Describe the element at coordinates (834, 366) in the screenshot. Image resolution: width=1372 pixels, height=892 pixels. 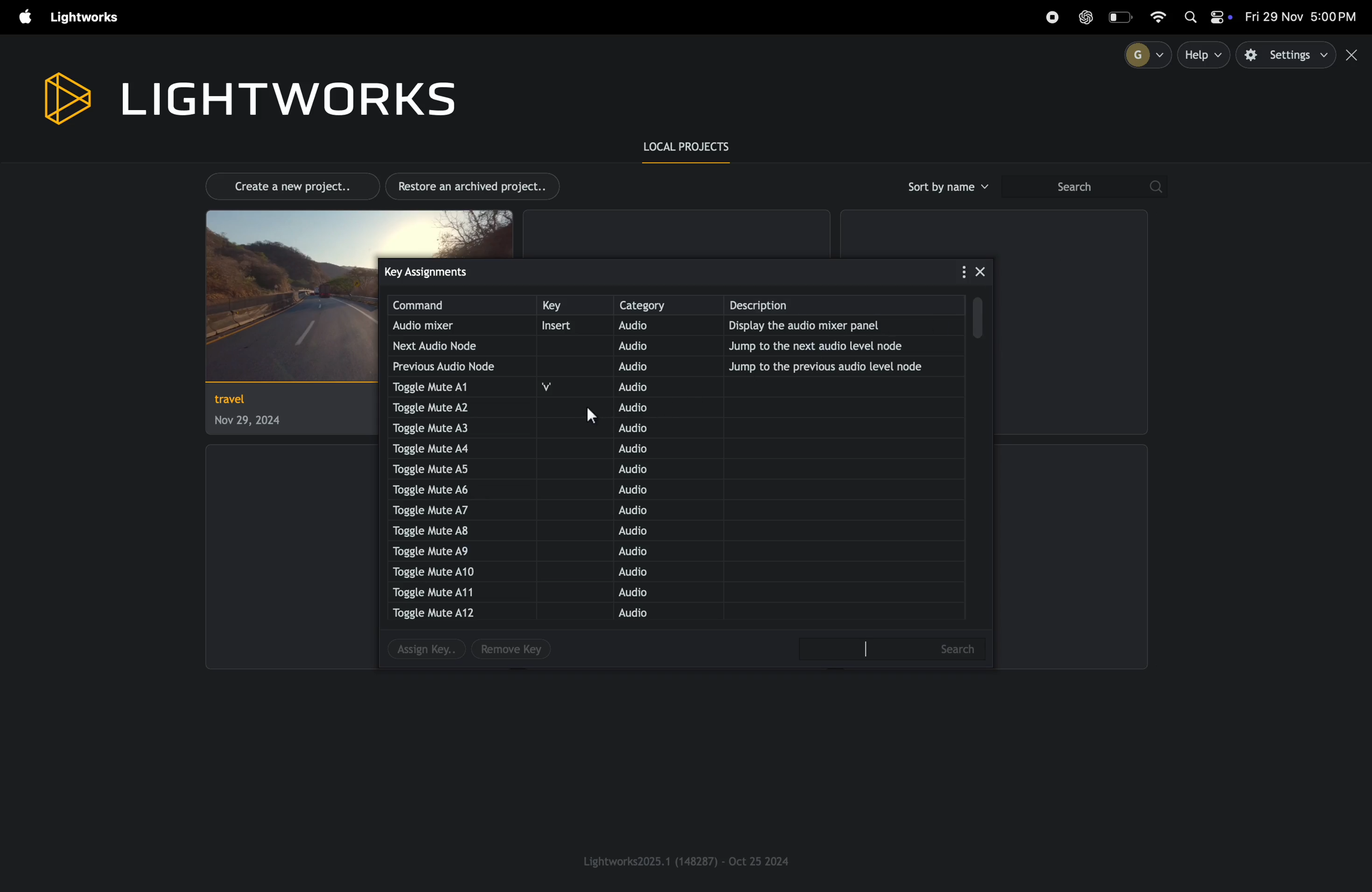
I see `jump to previous note` at that location.